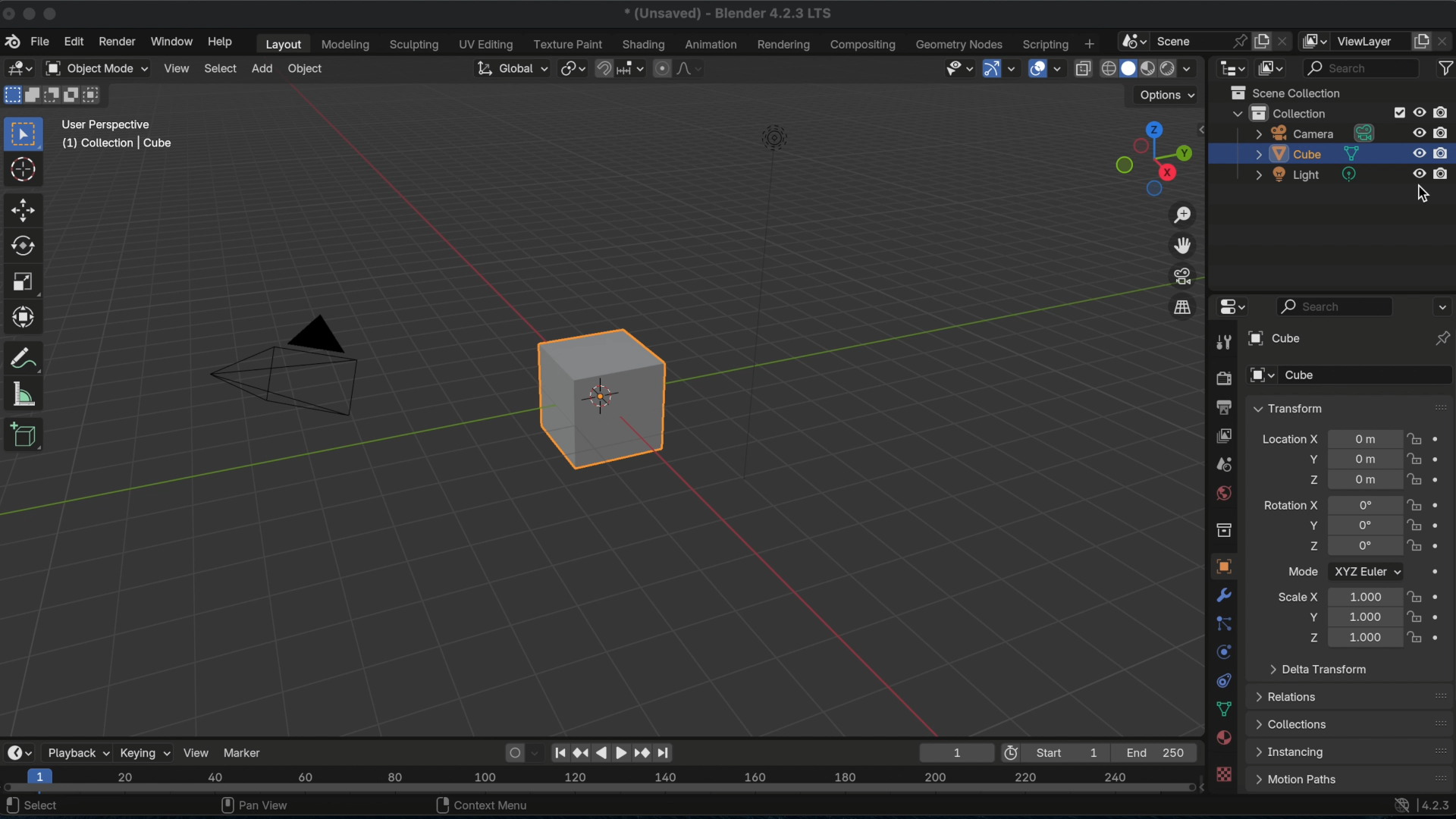 The width and height of the screenshot is (1456, 819). I want to click on display mode dropdown, so click(1269, 68).